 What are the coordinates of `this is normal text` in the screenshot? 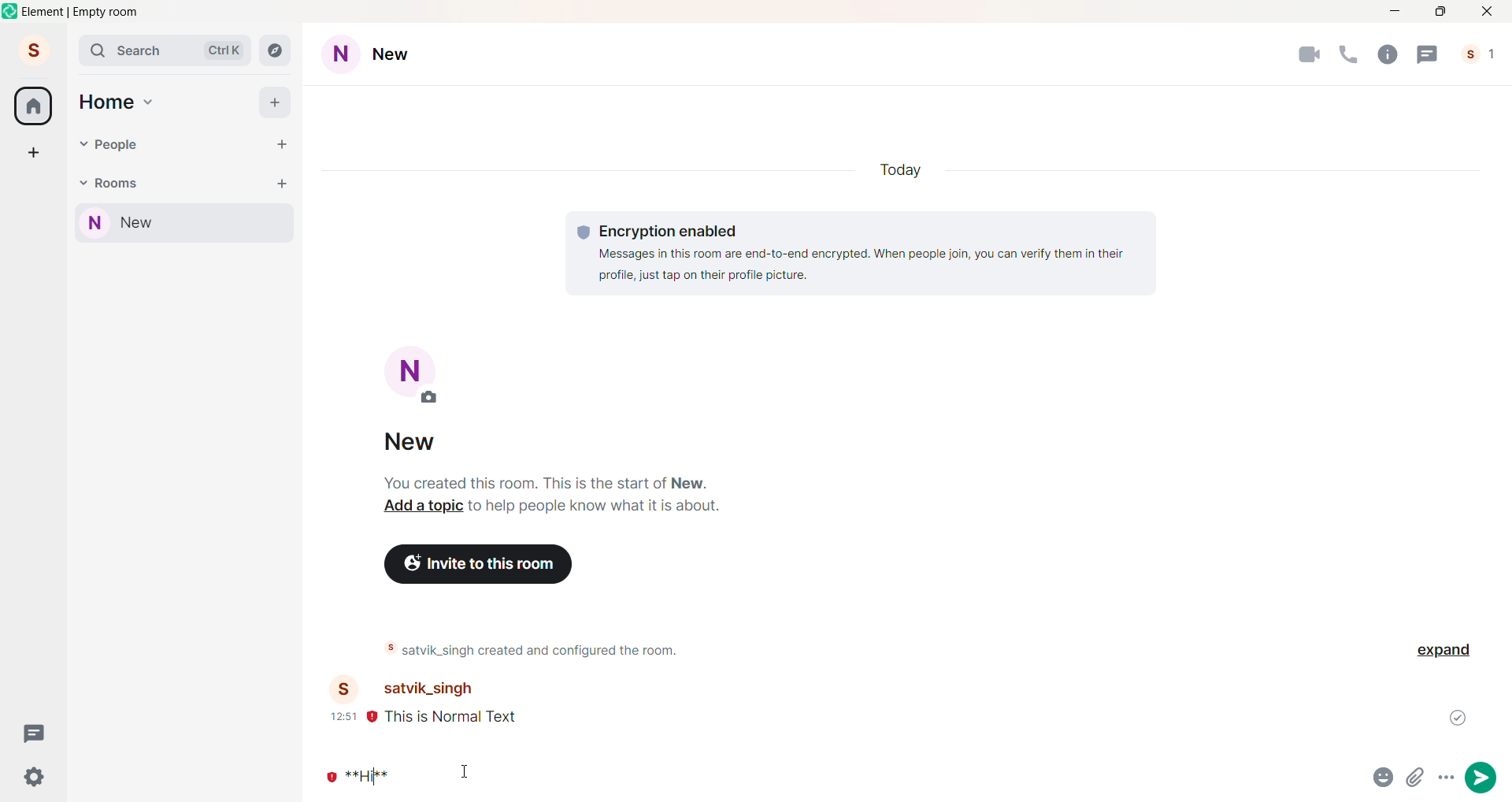 It's located at (473, 719).